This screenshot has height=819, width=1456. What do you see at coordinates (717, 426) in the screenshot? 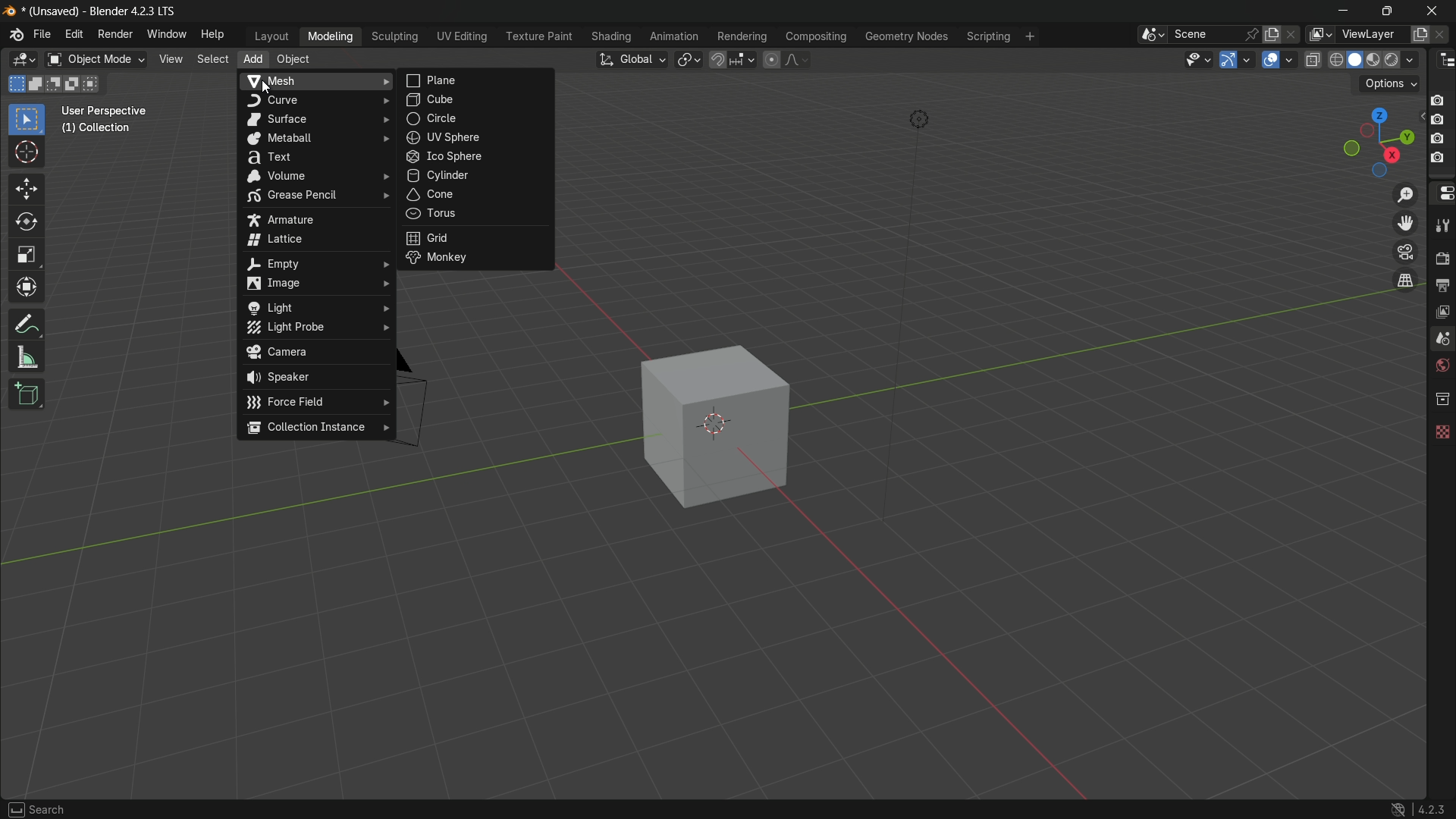
I see `cube` at bounding box center [717, 426].